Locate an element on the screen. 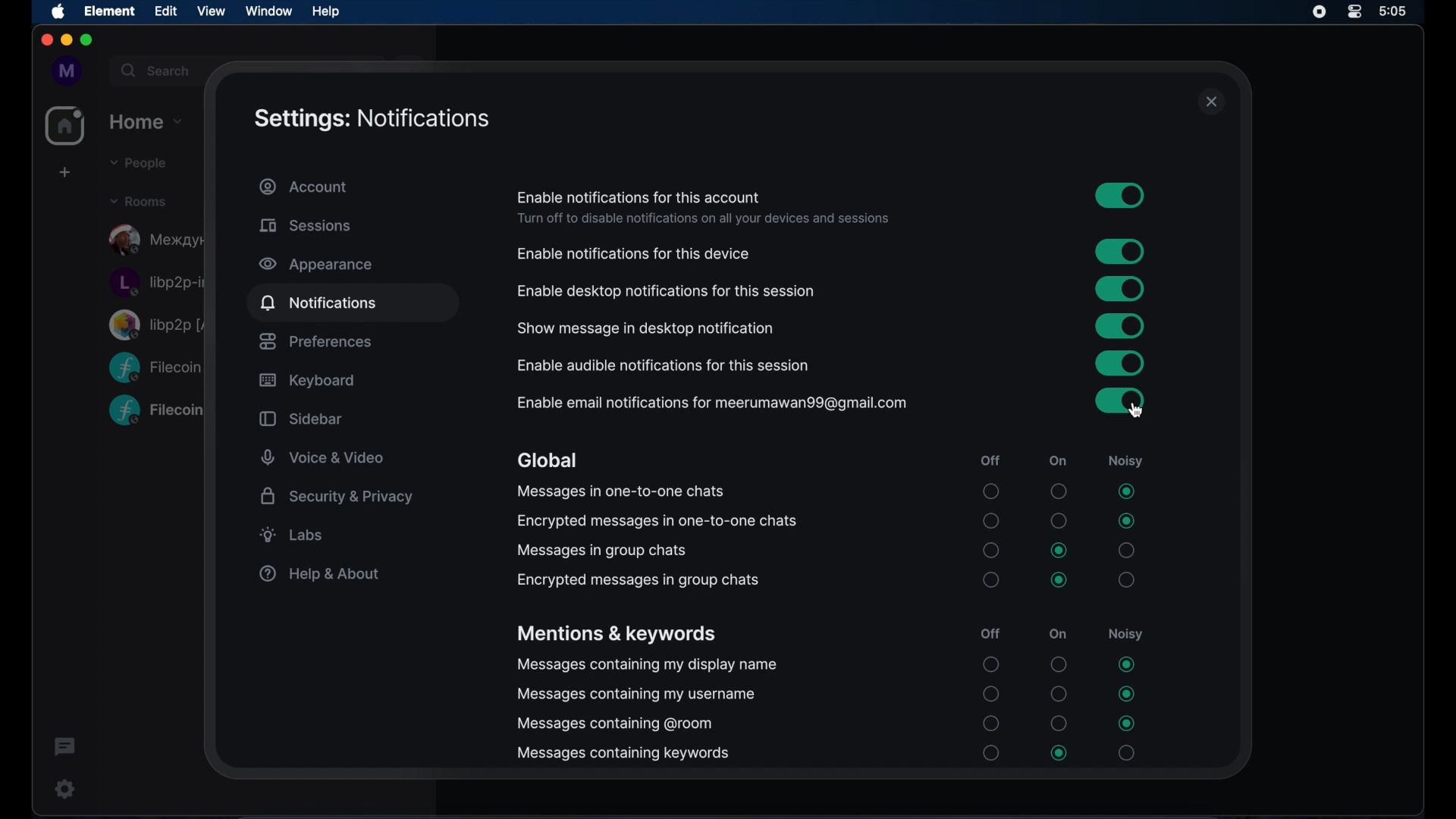  encrypted messages in group chats is located at coordinates (638, 581).